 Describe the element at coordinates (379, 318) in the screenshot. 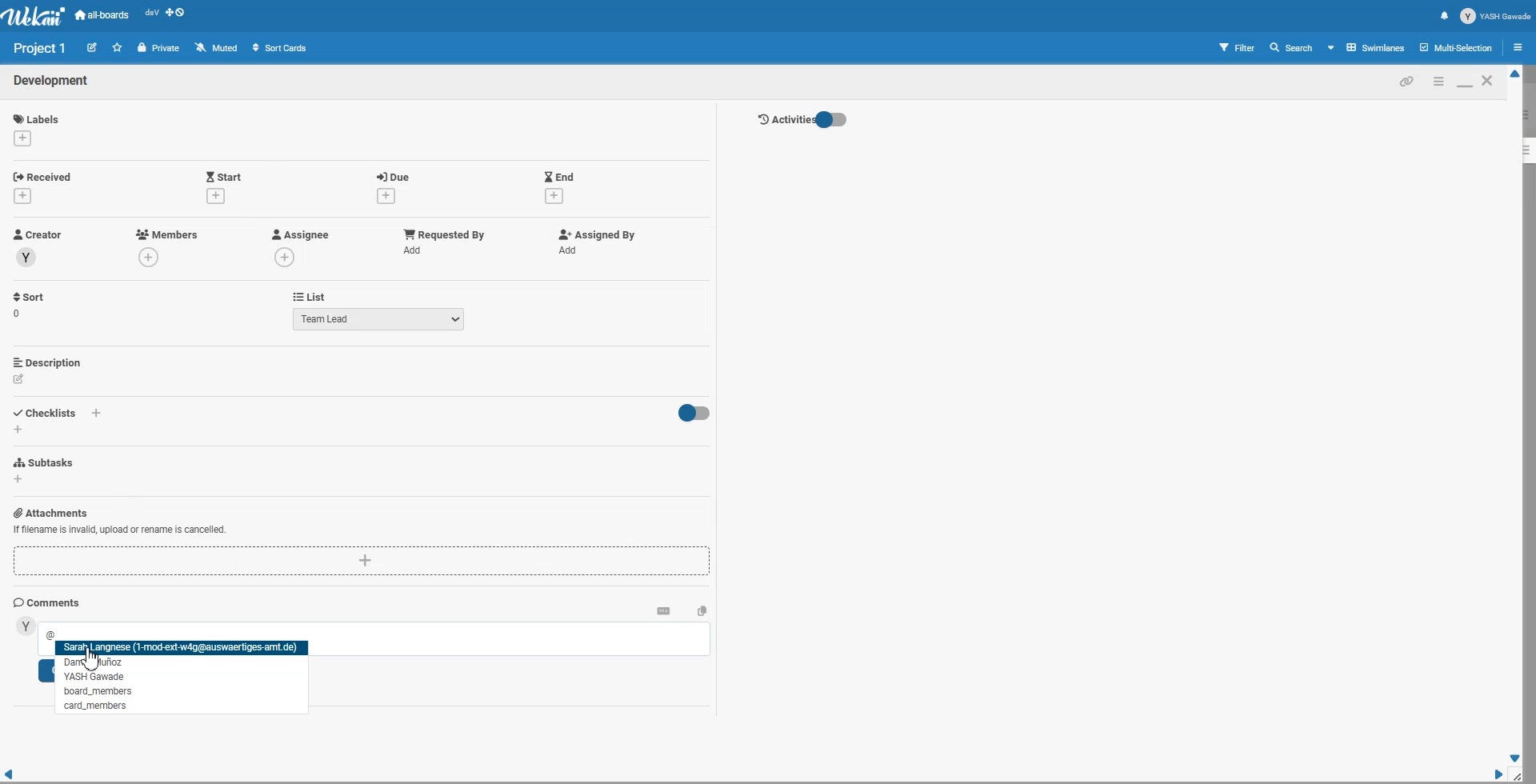

I see `Team Lead` at that location.